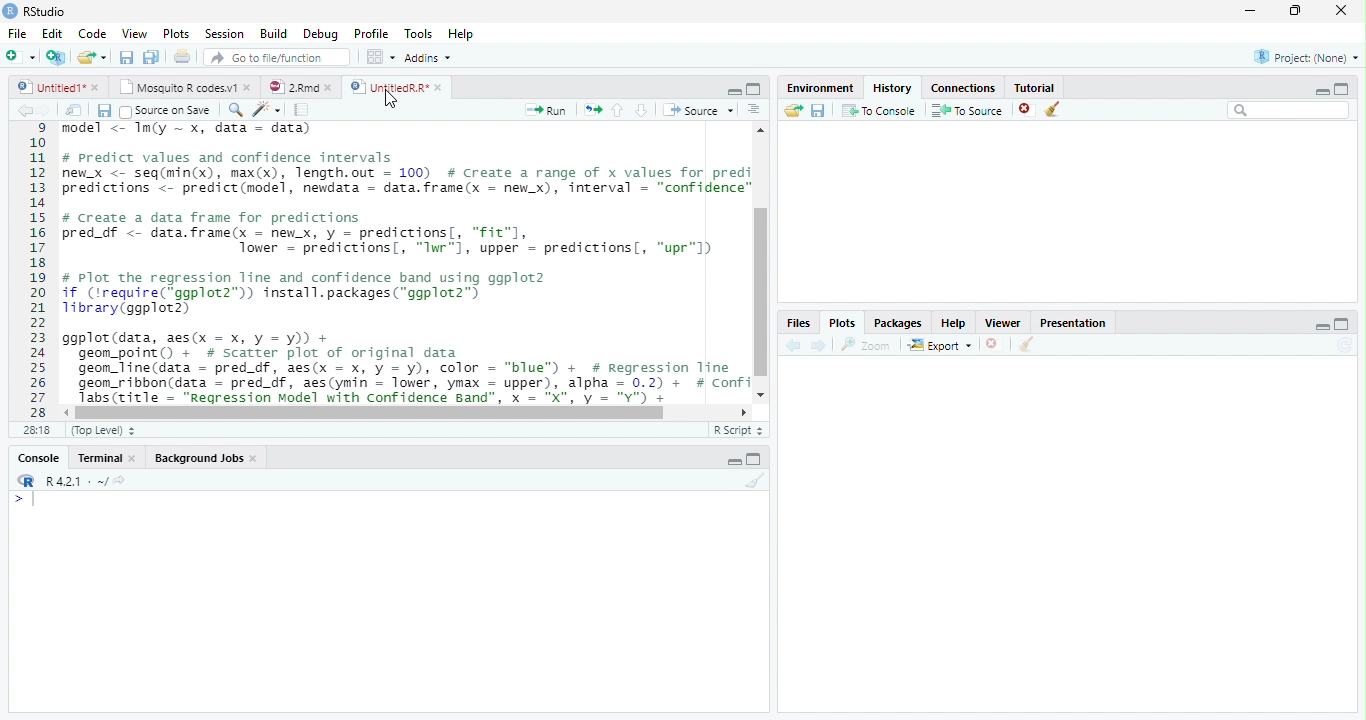  Describe the element at coordinates (93, 34) in the screenshot. I see `Code` at that location.